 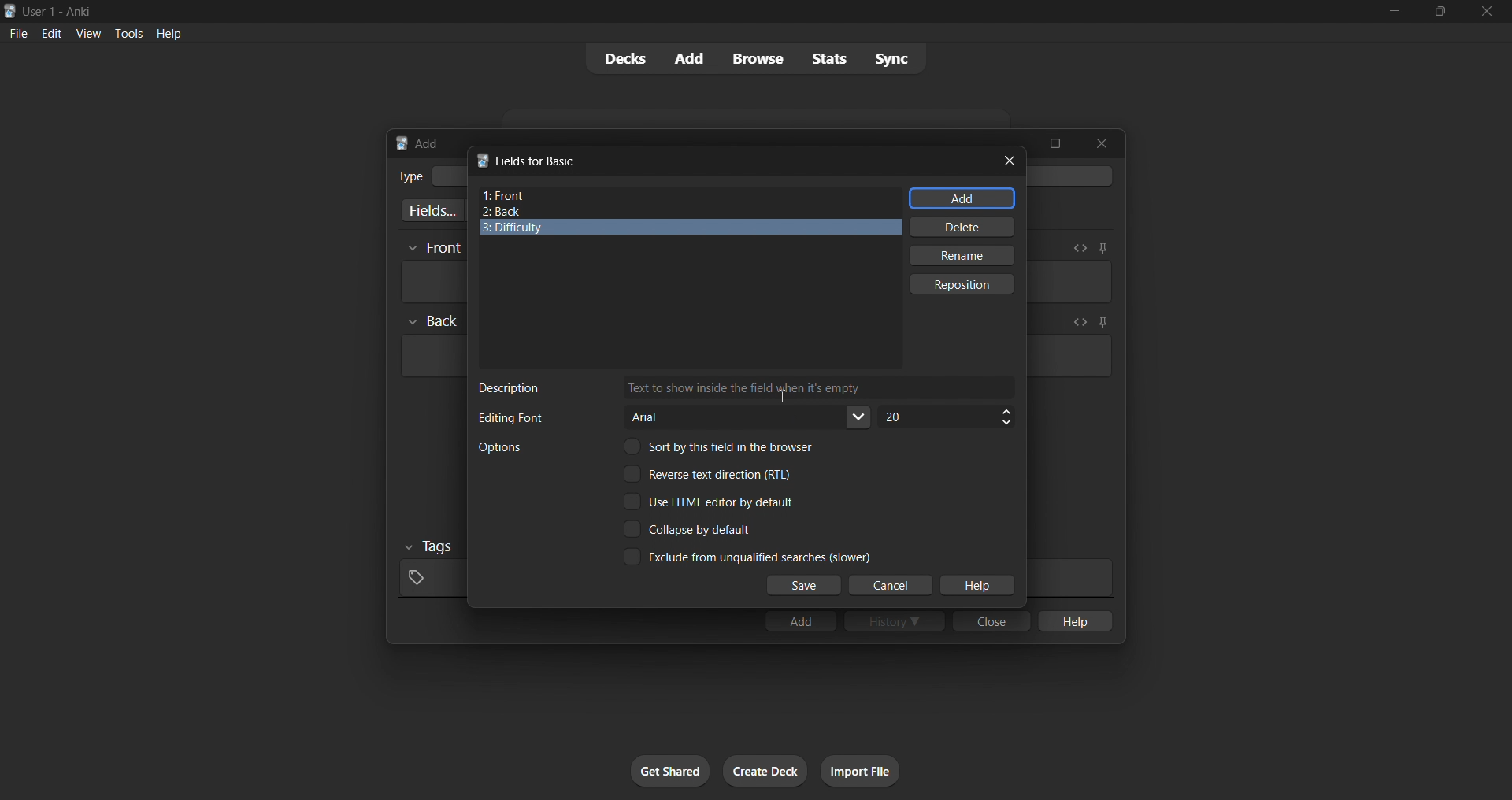 What do you see at coordinates (962, 198) in the screenshot?
I see `add ` at bounding box center [962, 198].